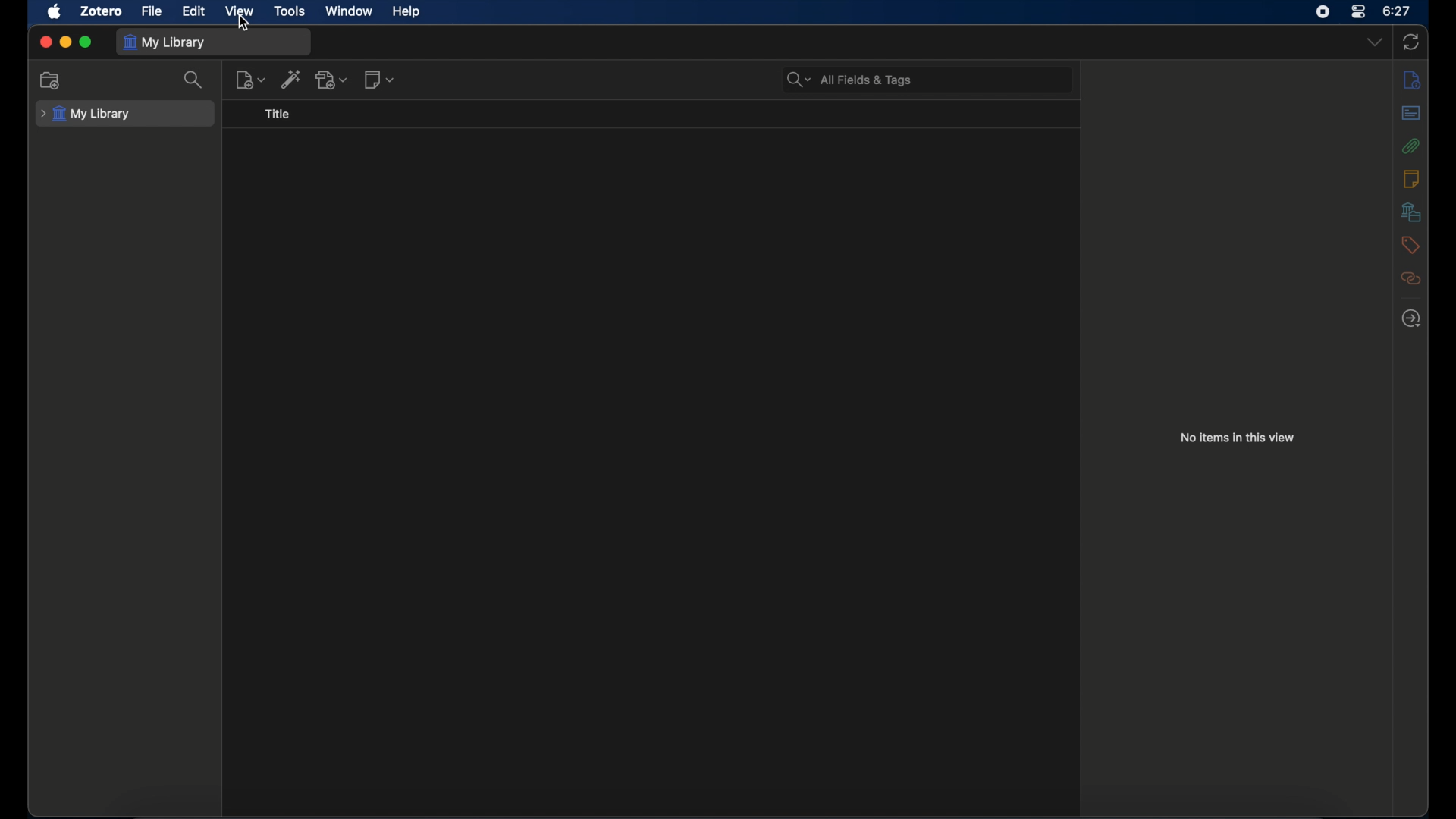 The height and width of the screenshot is (819, 1456). Describe the element at coordinates (86, 114) in the screenshot. I see `my library` at that location.